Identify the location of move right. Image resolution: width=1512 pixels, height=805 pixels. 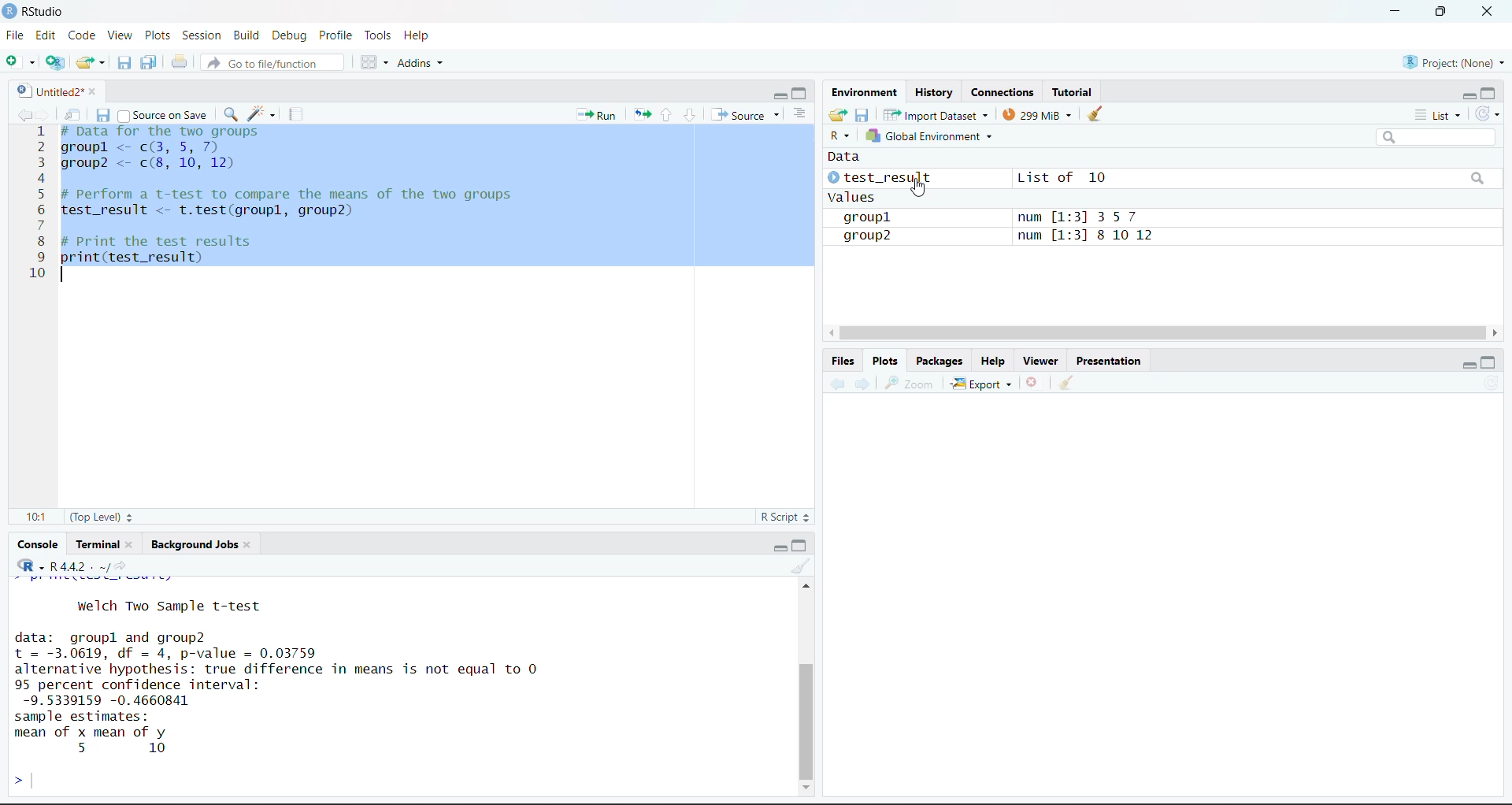
(1498, 332).